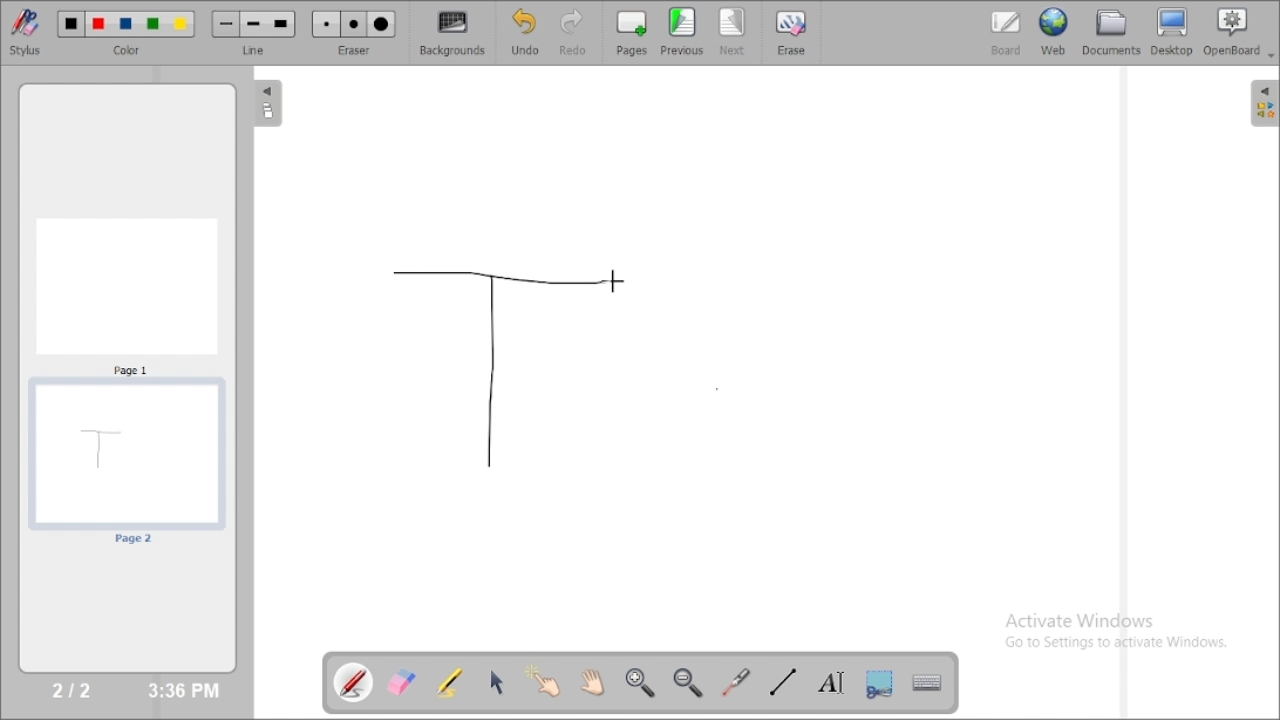 This screenshot has width=1280, height=720. What do you see at coordinates (1173, 32) in the screenshot?
I see `desktop` at bounding box center [1173, 32].